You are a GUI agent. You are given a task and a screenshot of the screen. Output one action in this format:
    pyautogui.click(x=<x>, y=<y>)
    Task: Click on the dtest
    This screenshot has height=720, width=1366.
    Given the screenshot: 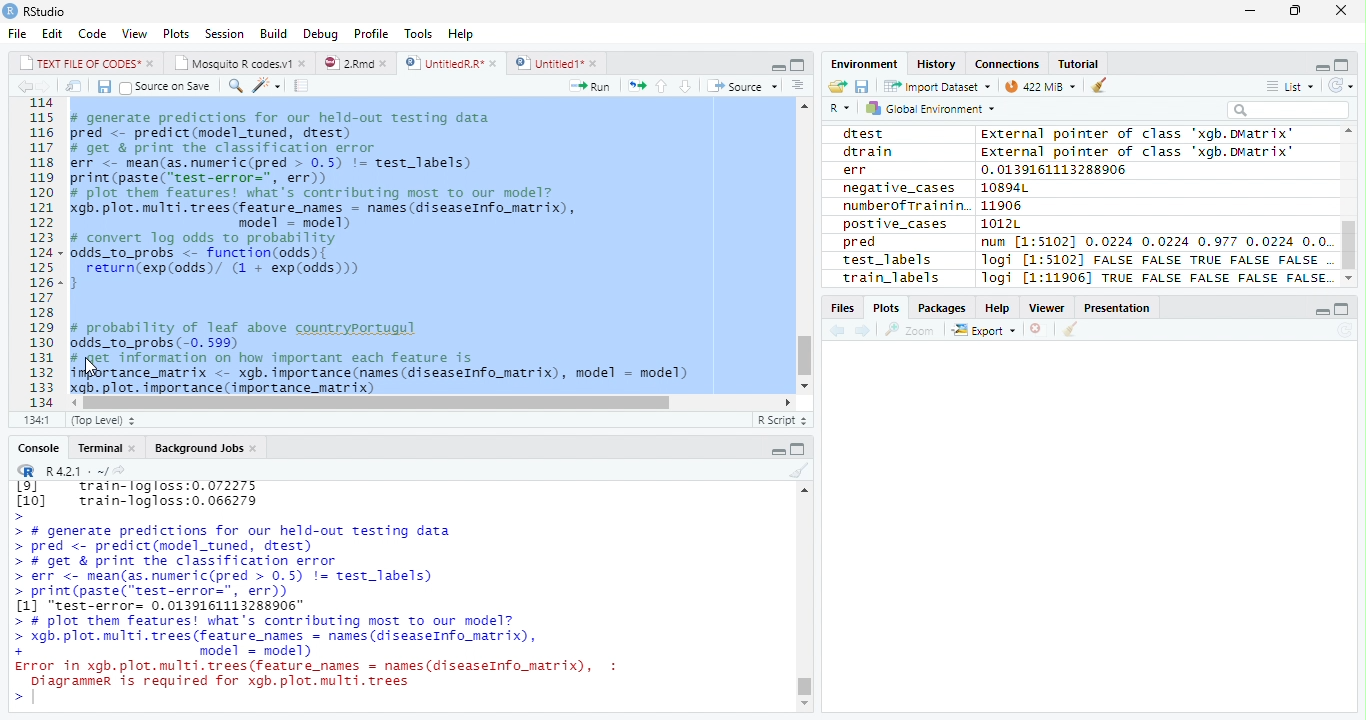 What is the action you would take?
    pyautogui.click(x=862, y=133)
    